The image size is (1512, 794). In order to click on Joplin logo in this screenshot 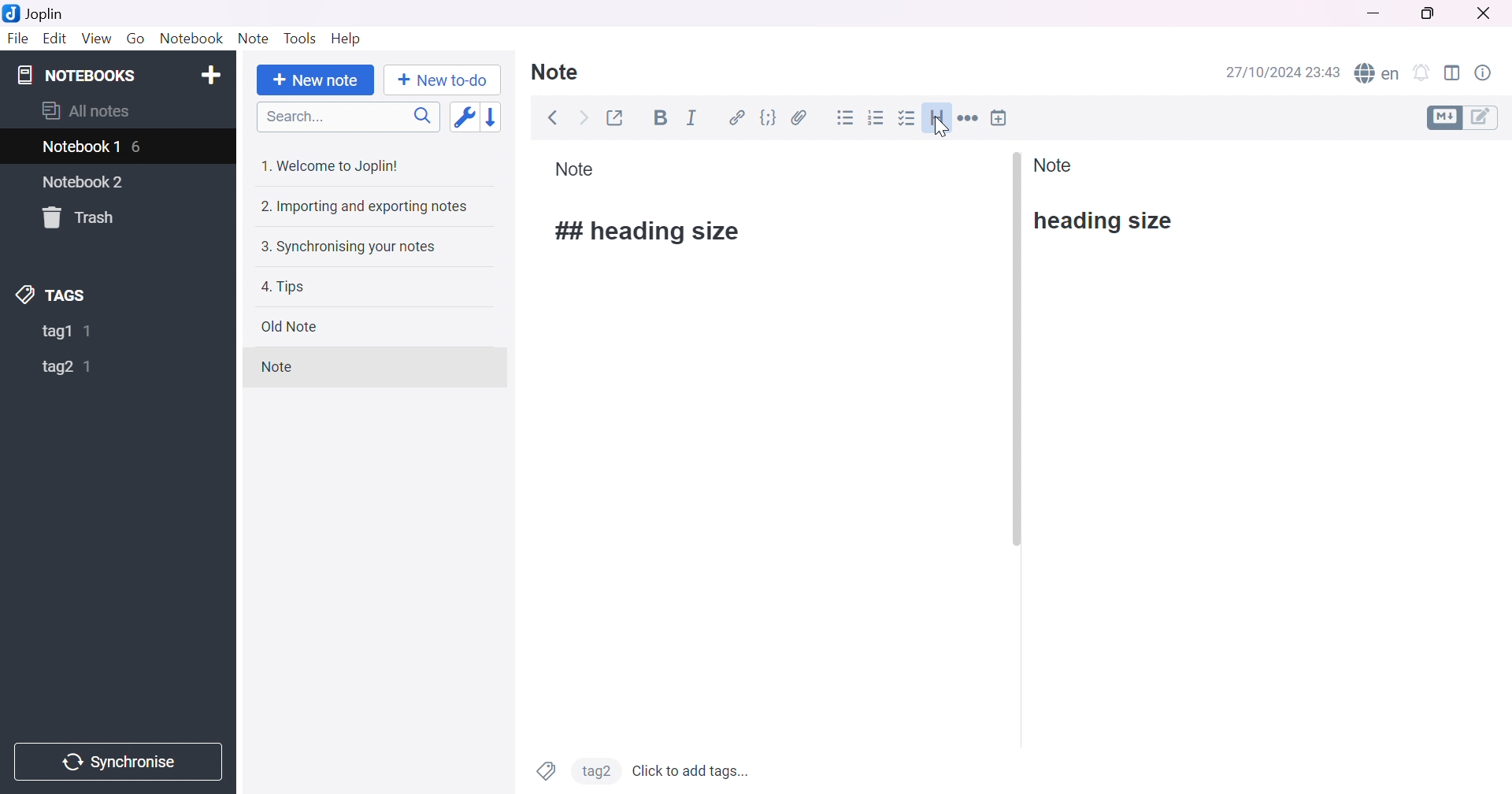, I will do `click(14, 13)`.